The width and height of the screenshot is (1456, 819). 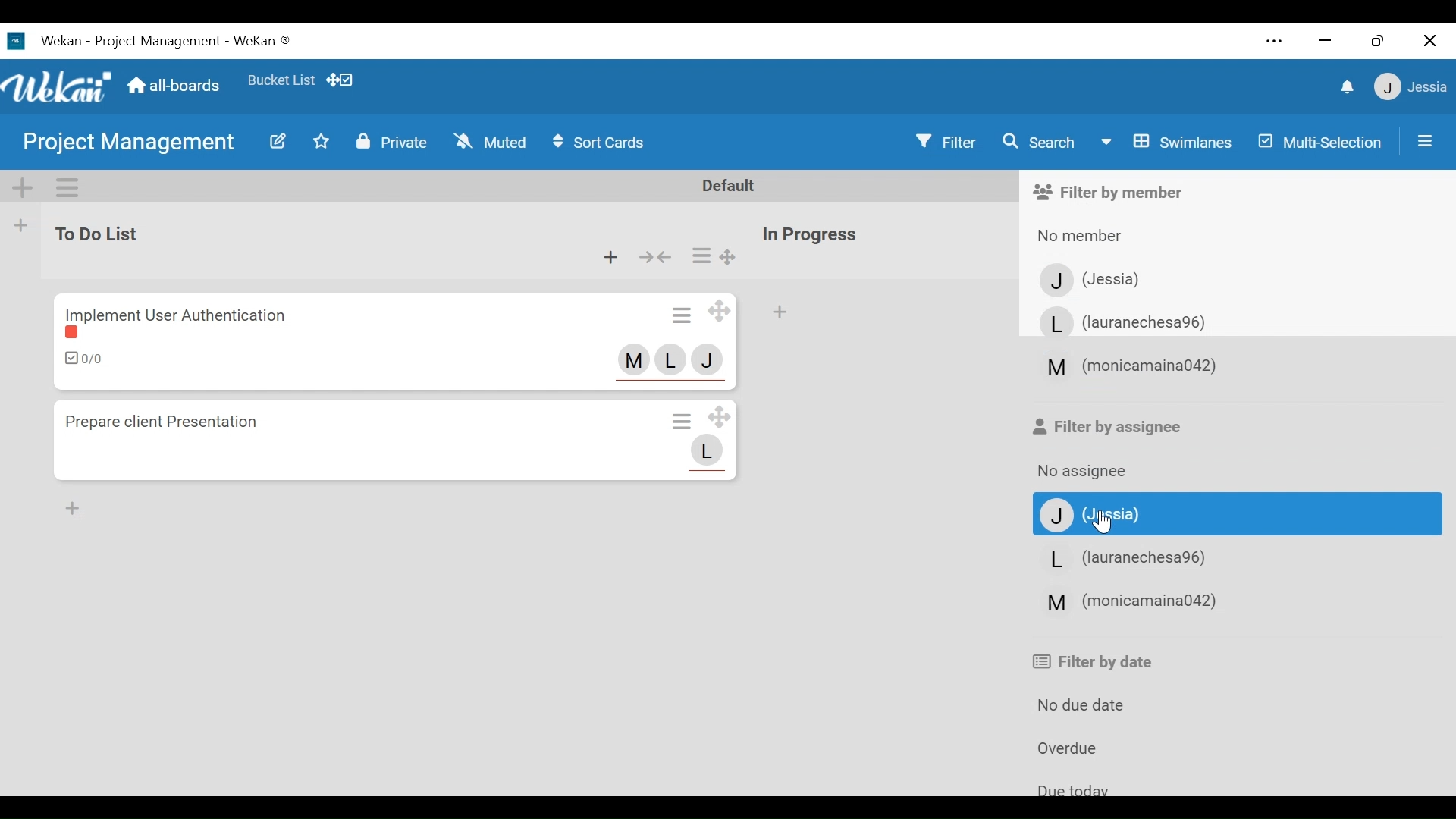 What do you see at coordinates (712, 456) in the screenshot?
I see `member` at bounding box center [712, 456].